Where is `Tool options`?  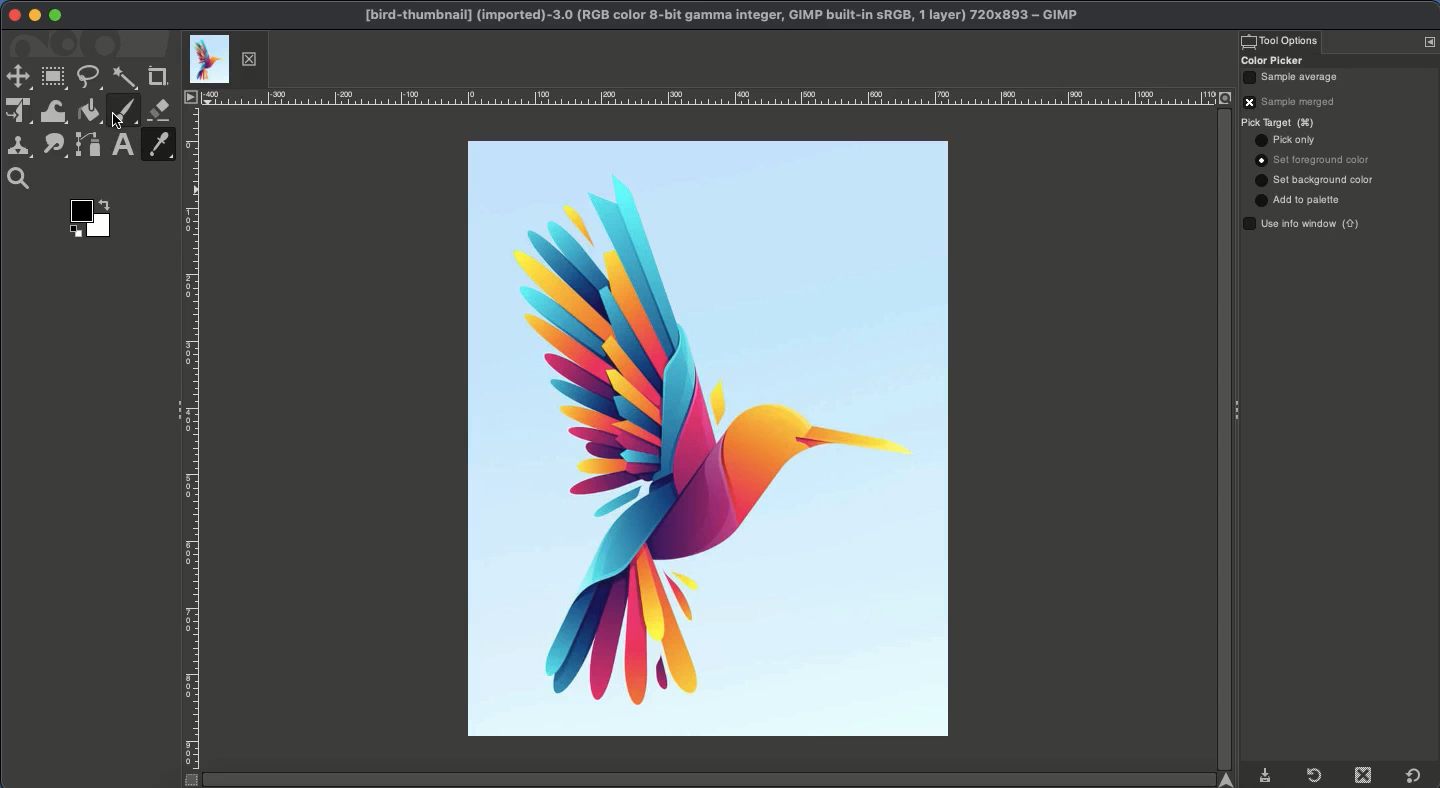
Tool options is located at coordinates (1279, 40).